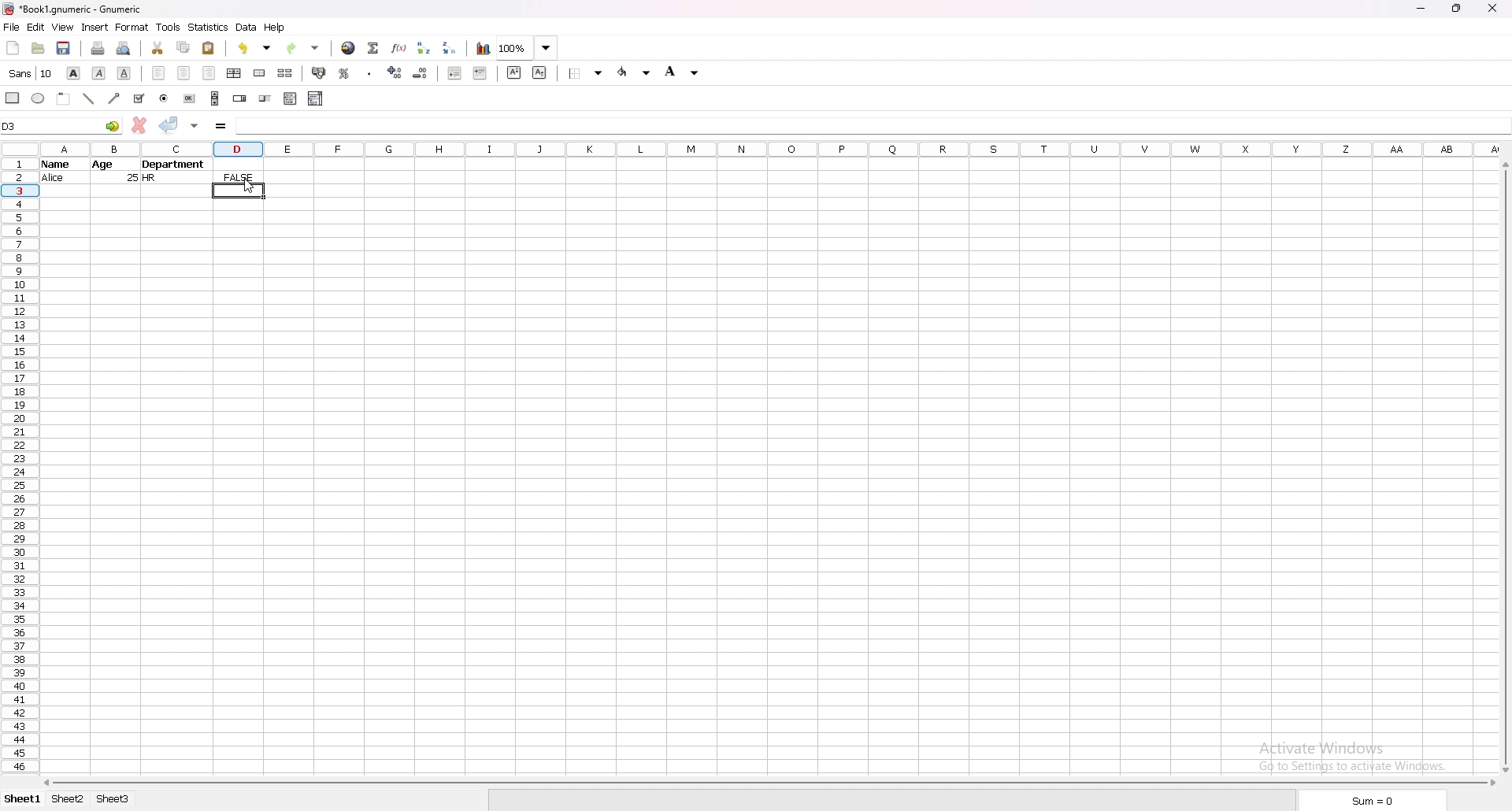 This screenshot has width=1512, height=811. What do you see at coordinates (257, 48) in the screenshot?
I see `undo` at bounding box center [257, 48].